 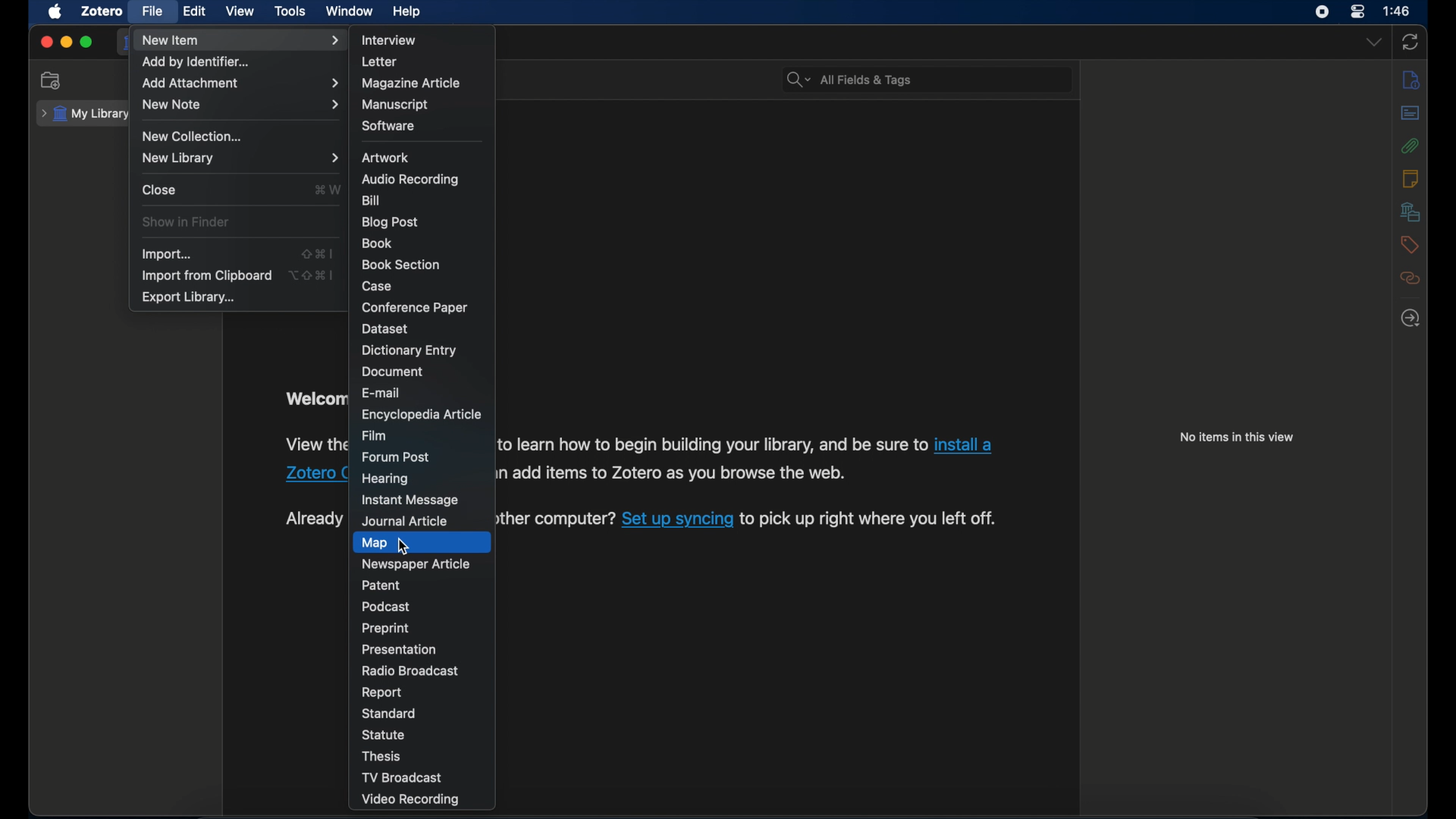 I want to click on blog post, so click(x=388, y=222).